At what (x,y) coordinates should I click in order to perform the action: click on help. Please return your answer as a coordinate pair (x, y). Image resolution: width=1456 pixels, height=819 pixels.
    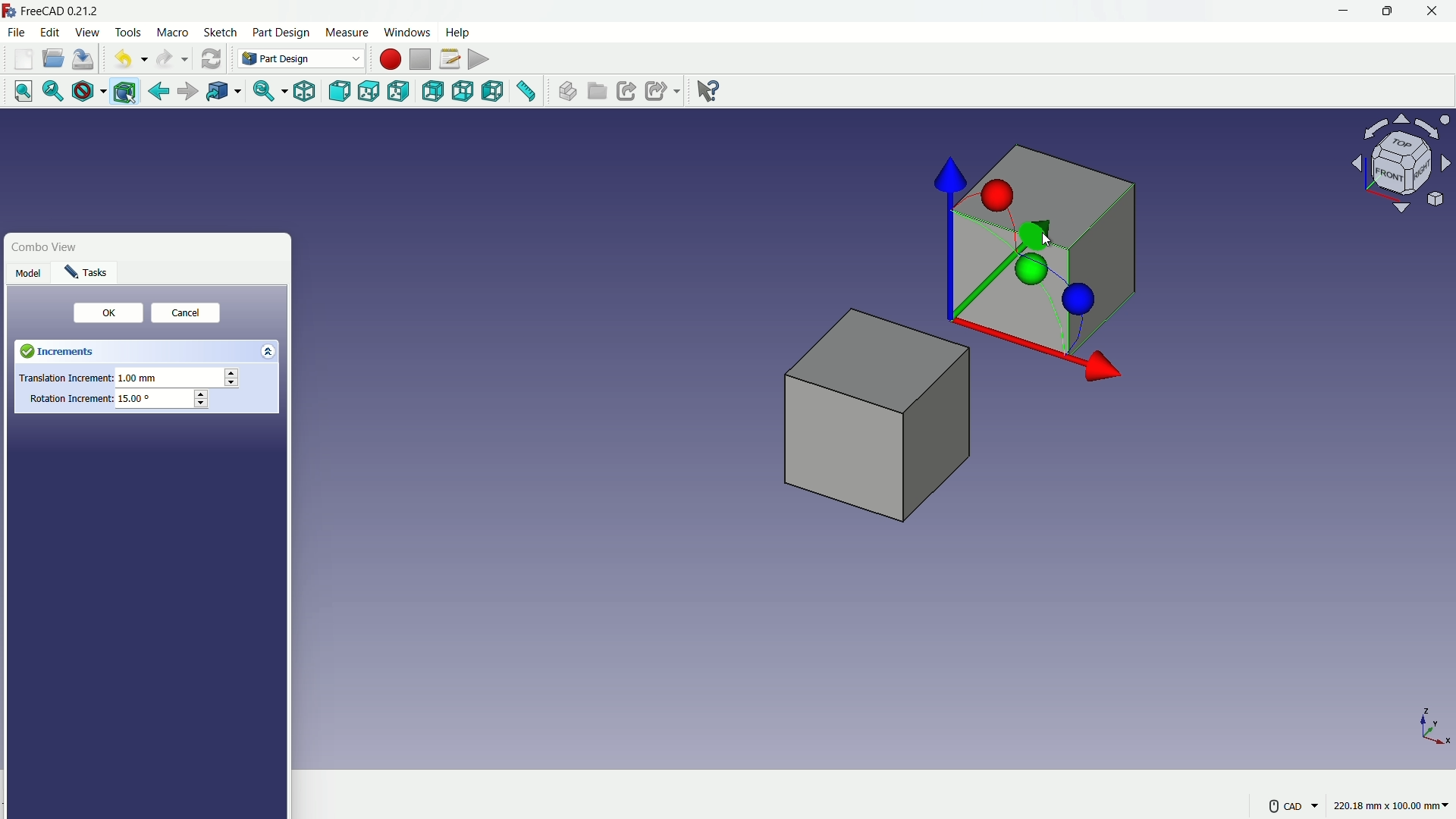
    Looking at the image, I should click on (460, 31).